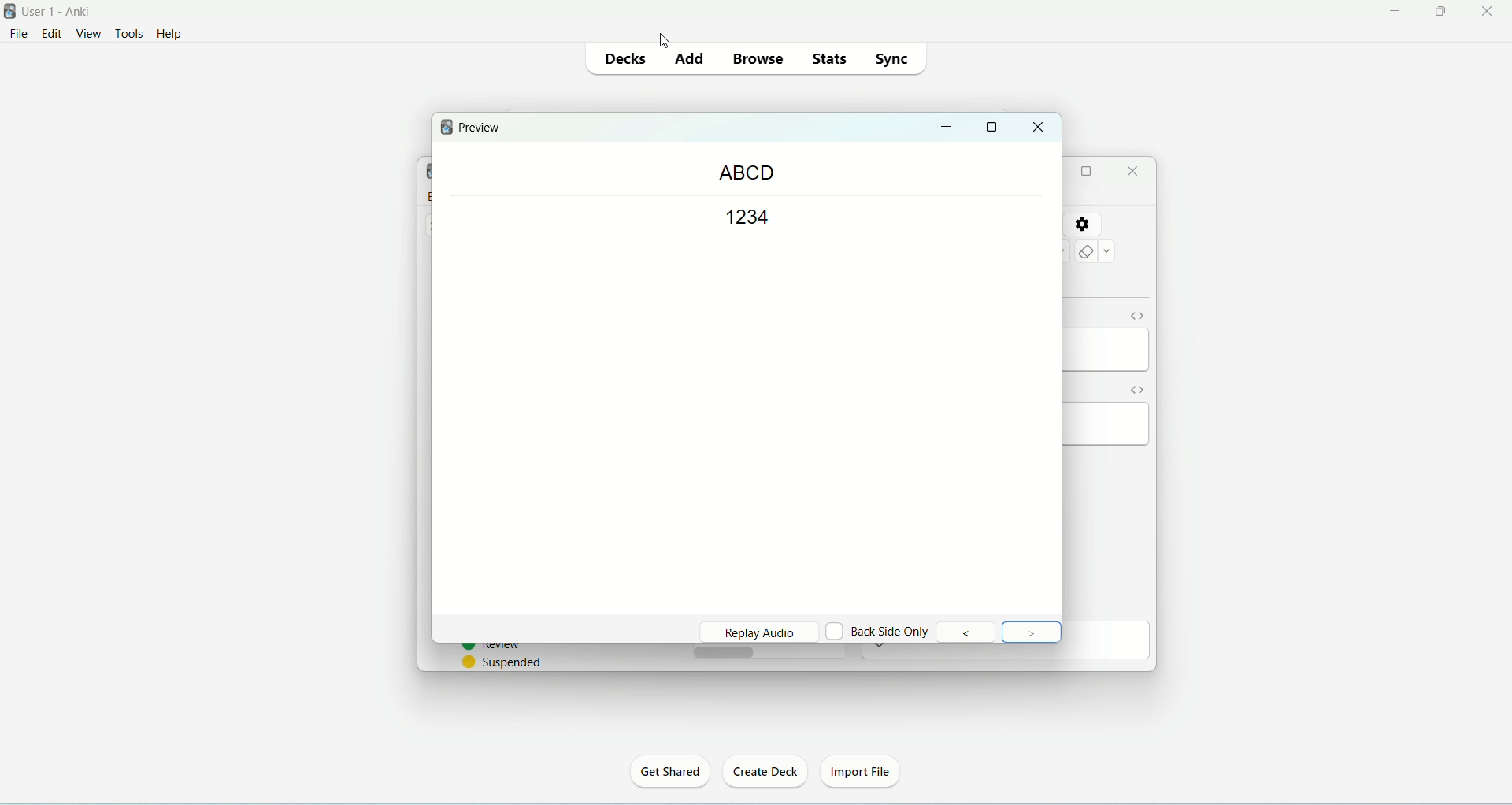  I want to click on Next, so click(1032, 633).